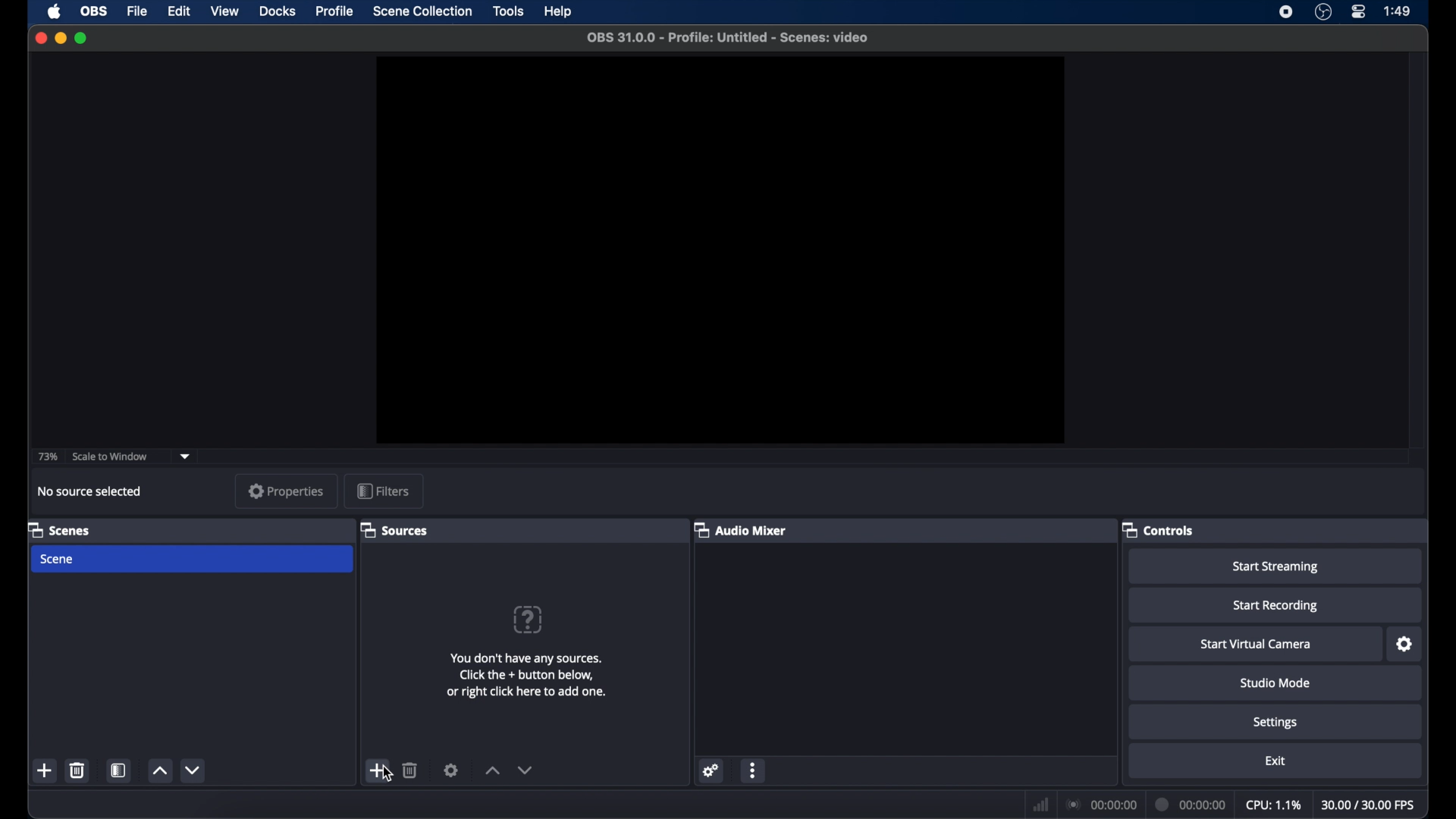  I want to click on control center, so click(1360, 12).